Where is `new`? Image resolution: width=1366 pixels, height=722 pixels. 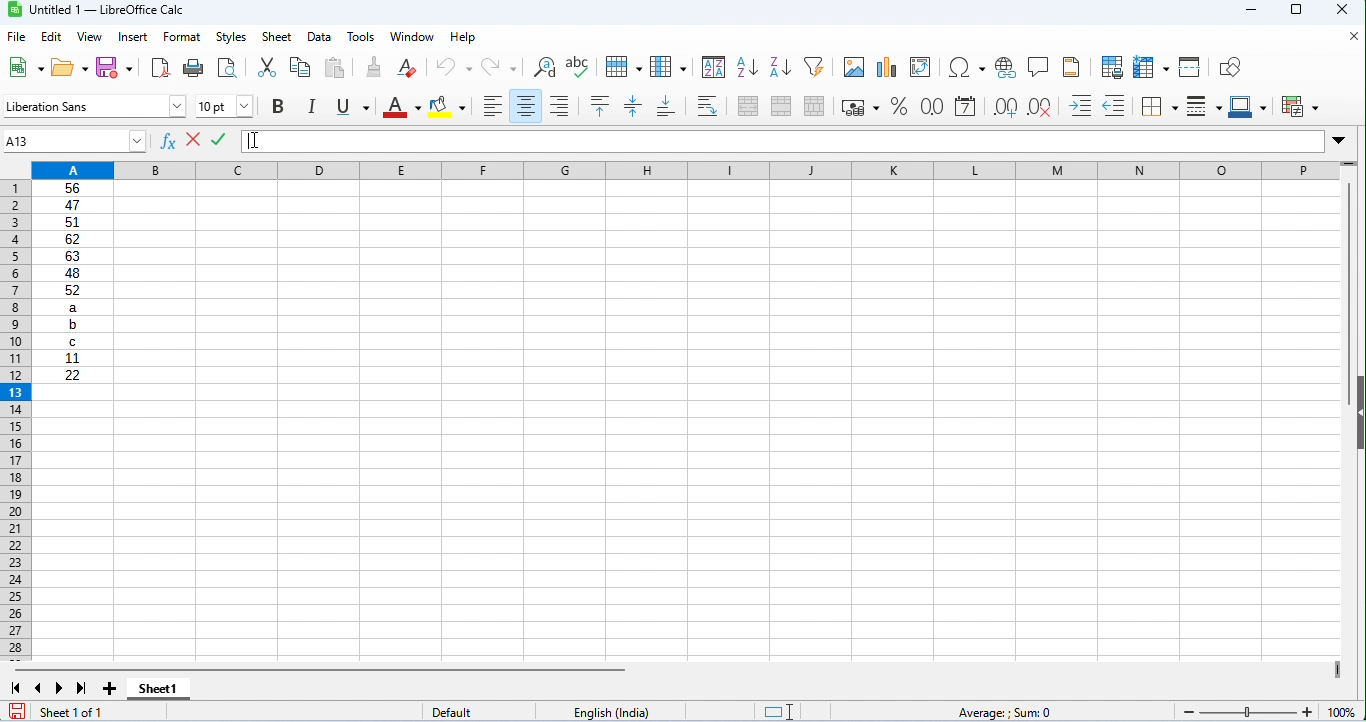 new is located at coordinates (23, 66).